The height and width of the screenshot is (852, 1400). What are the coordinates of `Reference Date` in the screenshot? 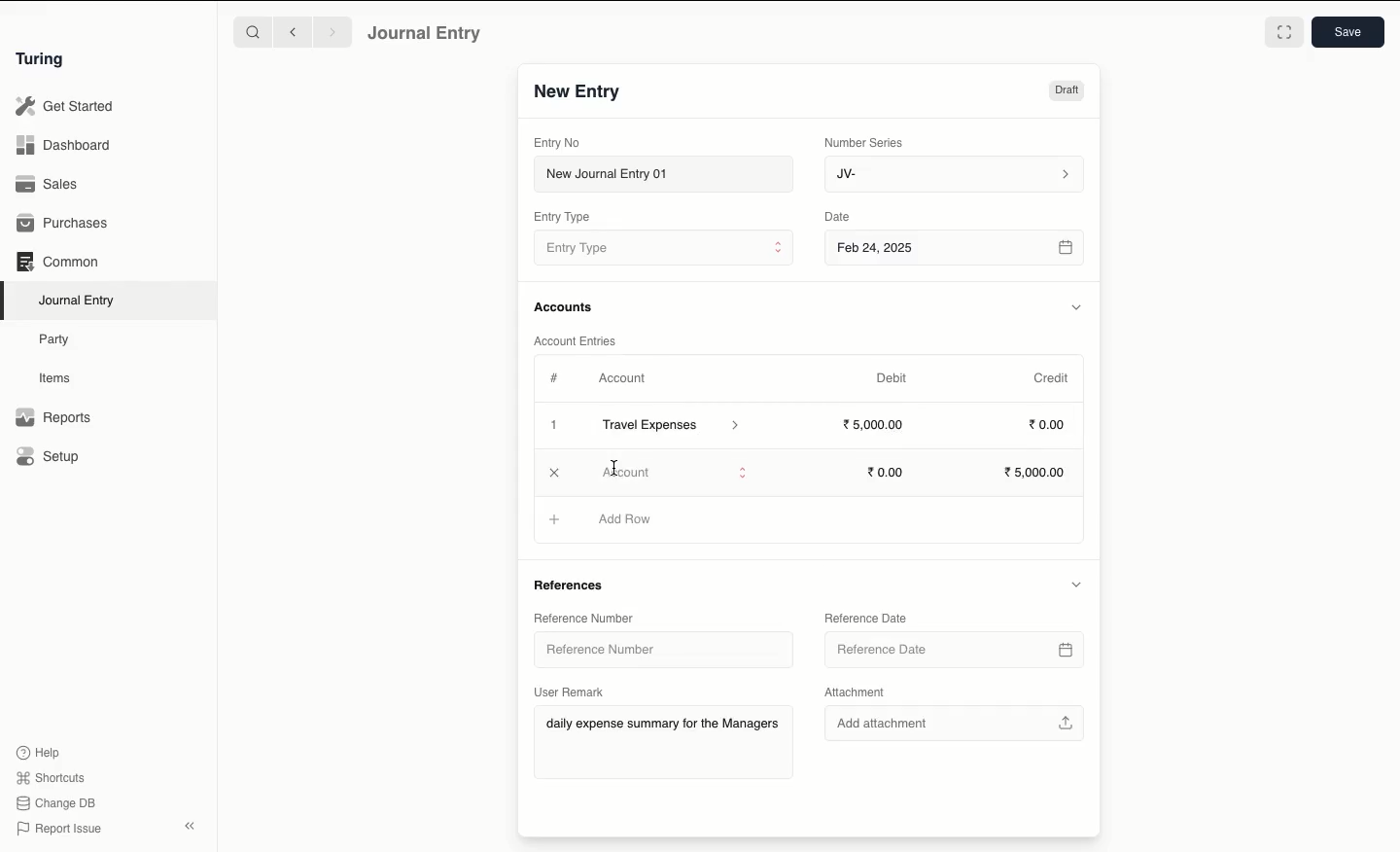 It's located at (955, 652).